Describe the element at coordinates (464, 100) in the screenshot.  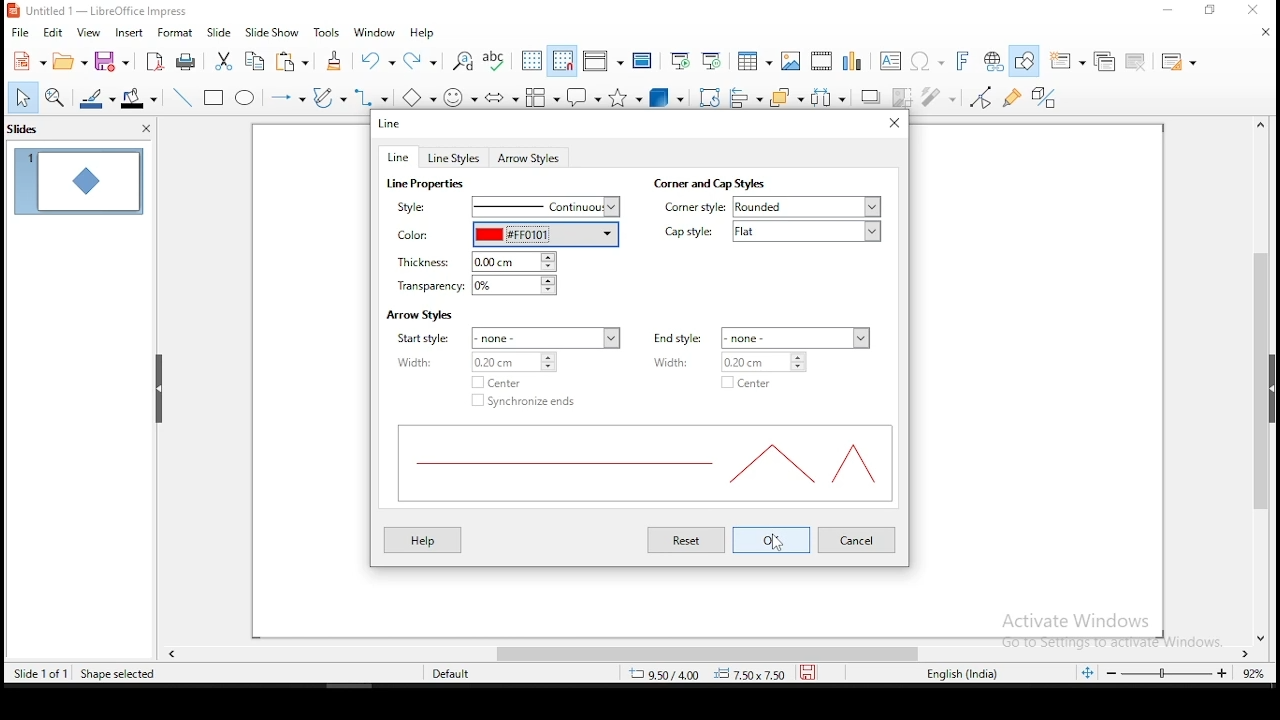
I see `symbol shapes` at that location.